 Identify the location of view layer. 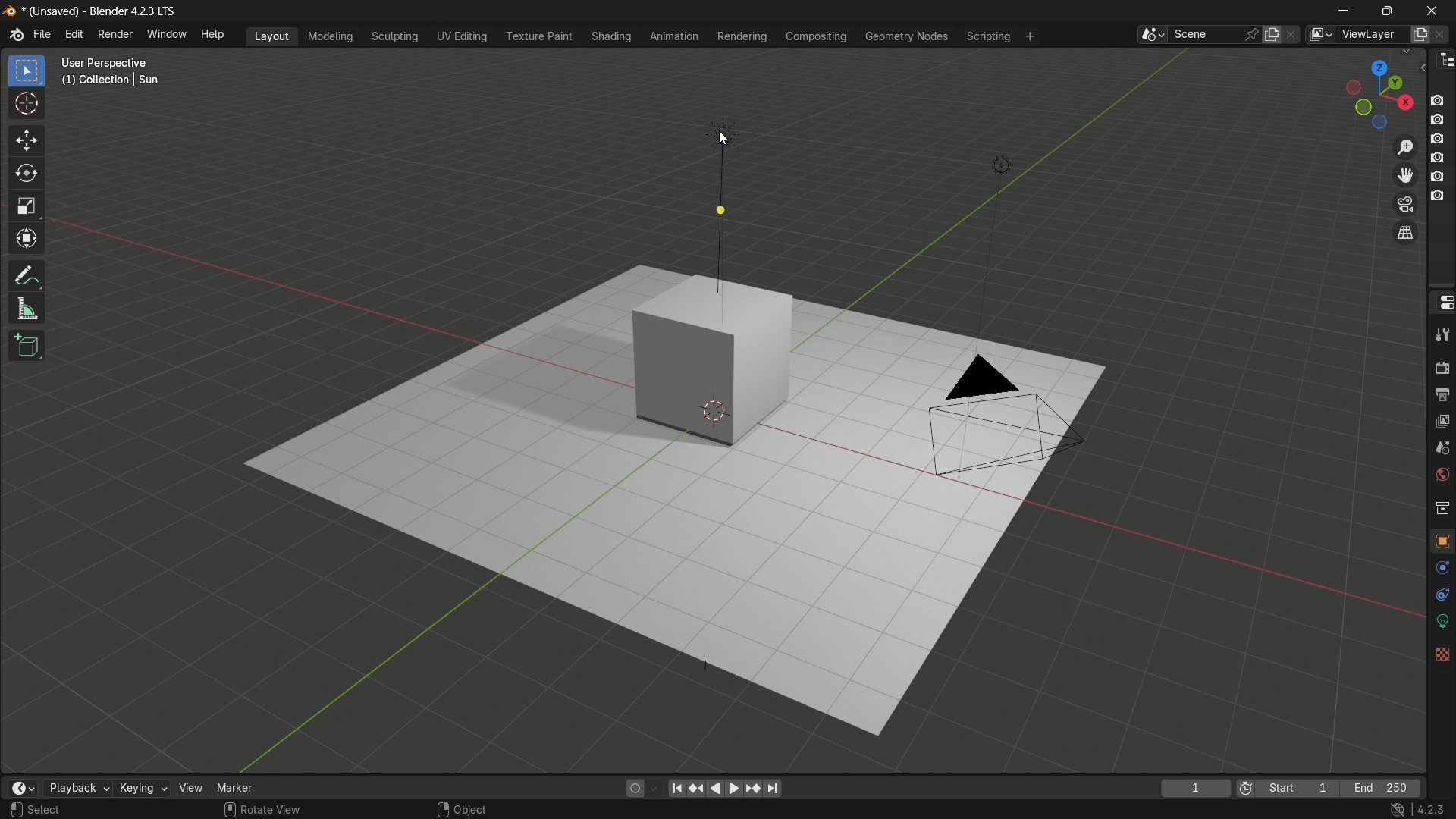
(1321, 35).